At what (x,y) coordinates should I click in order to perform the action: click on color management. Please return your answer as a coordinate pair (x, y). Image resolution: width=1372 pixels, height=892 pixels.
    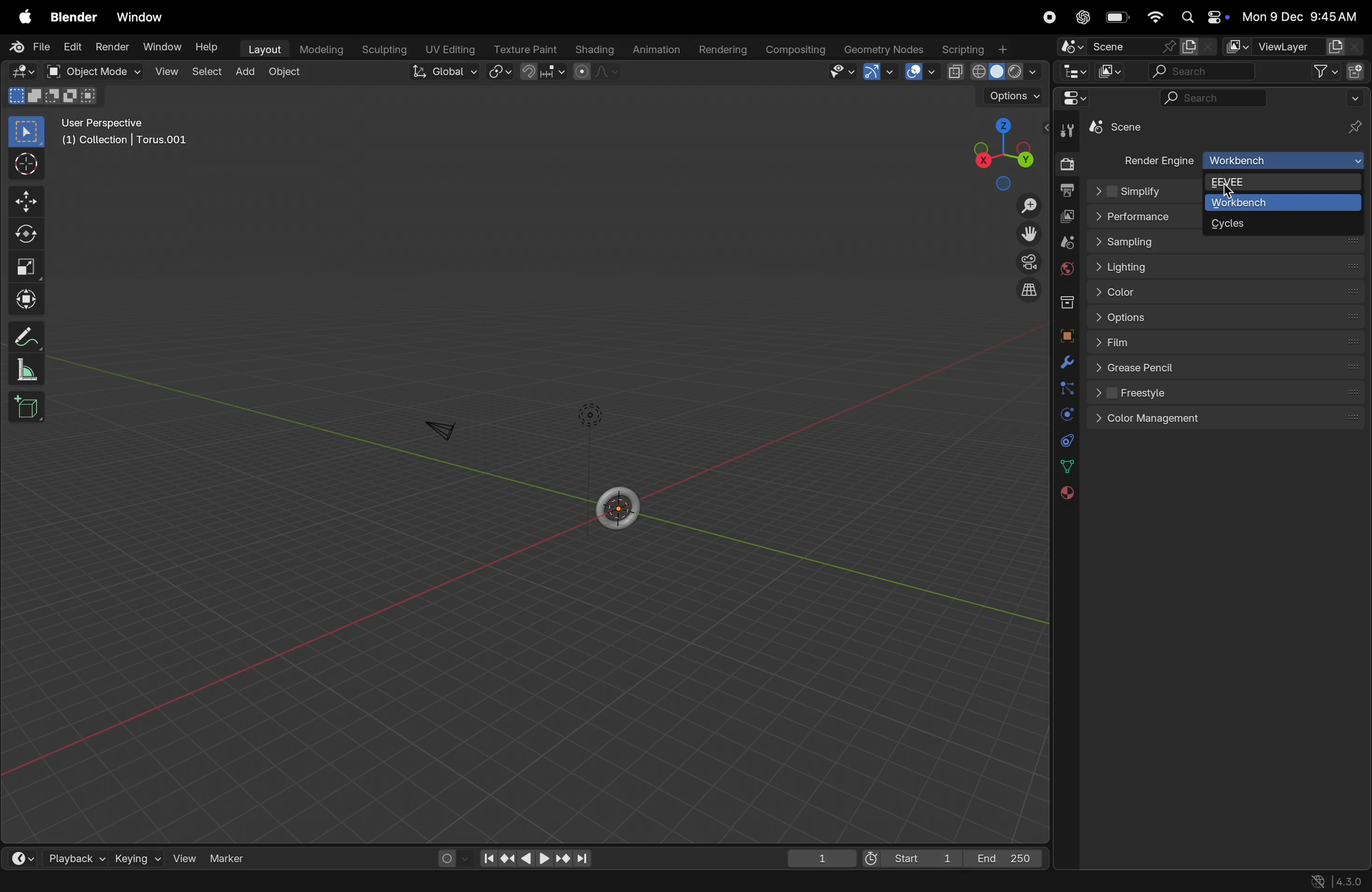
    Looking at the image, I should click on (1227, 420).